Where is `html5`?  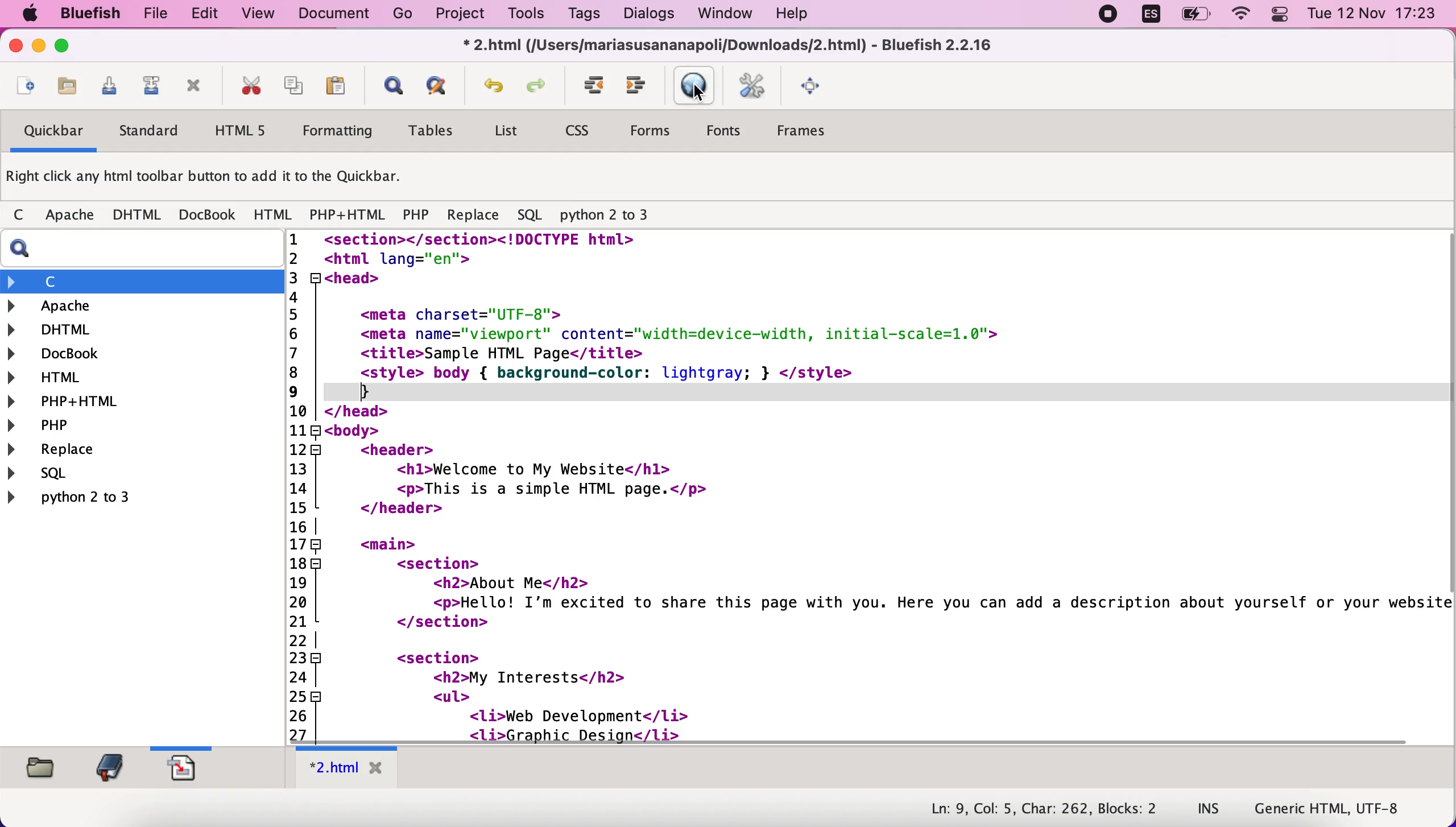 html5 is located at coordinates (249, 131).